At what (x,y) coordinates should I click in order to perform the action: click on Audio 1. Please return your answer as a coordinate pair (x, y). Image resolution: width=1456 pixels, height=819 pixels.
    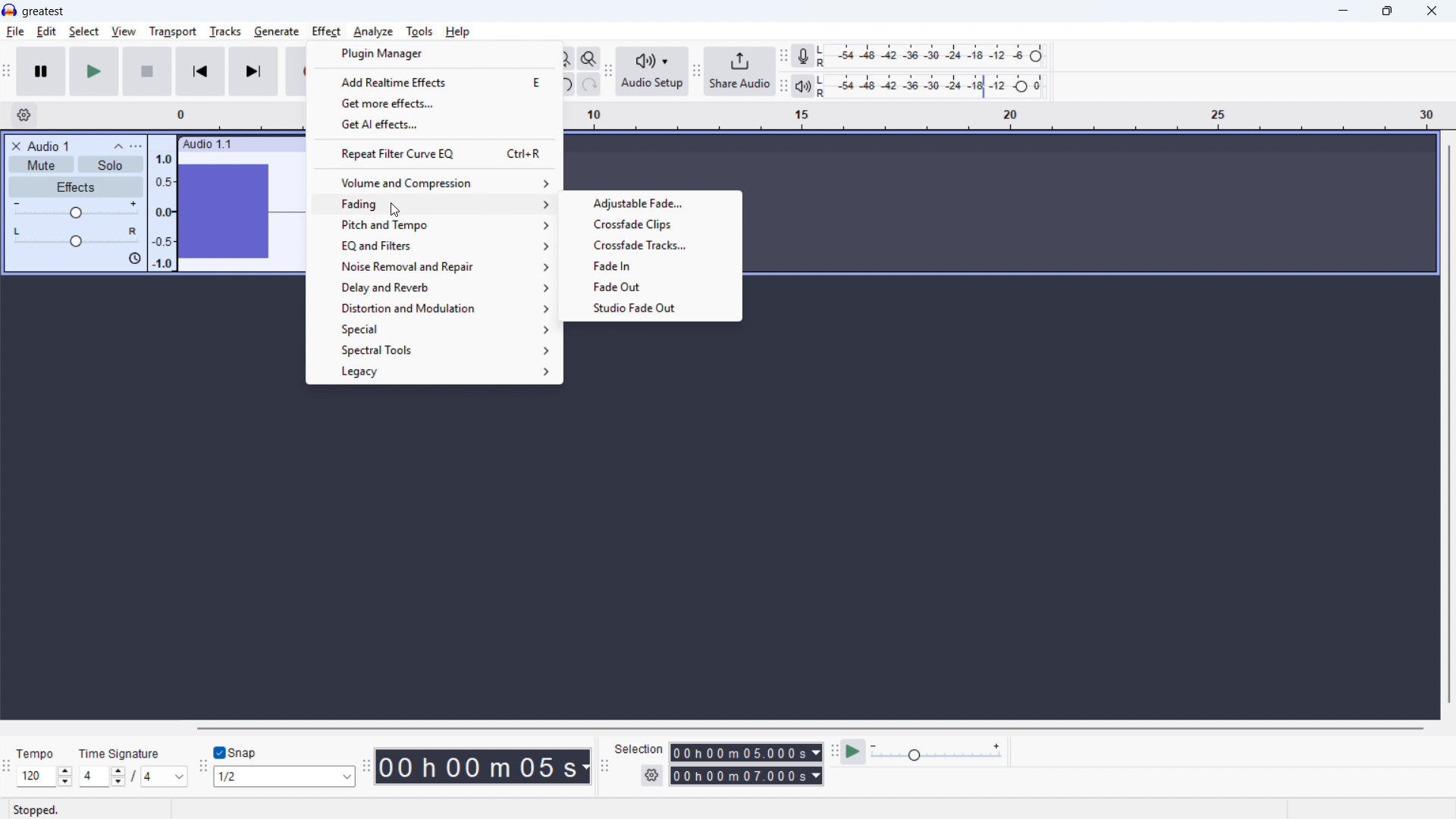
    Looking at the image, I should click on (49, 146).